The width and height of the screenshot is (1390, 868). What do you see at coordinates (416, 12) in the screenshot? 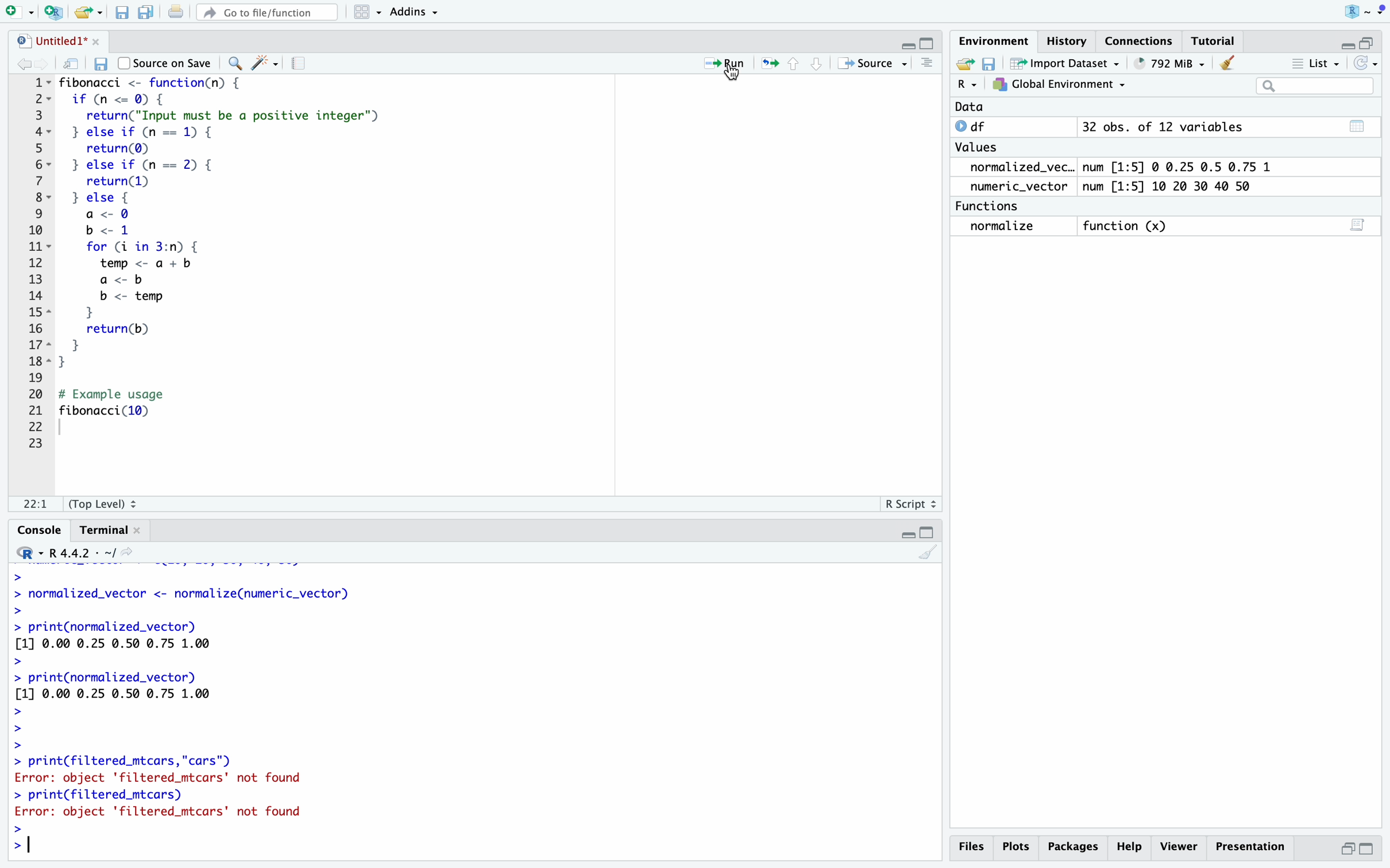
I see `addins` at bounding box center [416, 12].